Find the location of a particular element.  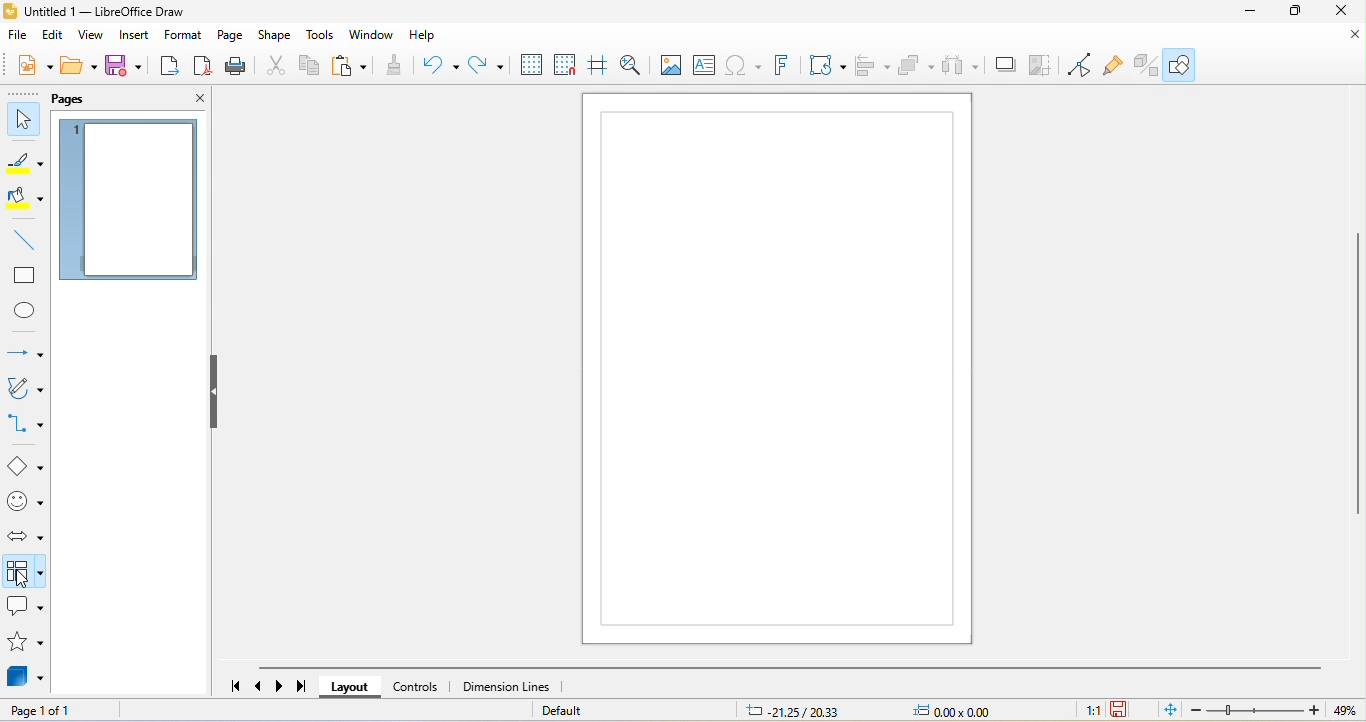

snap to grid is located at coordinates (569, 66).